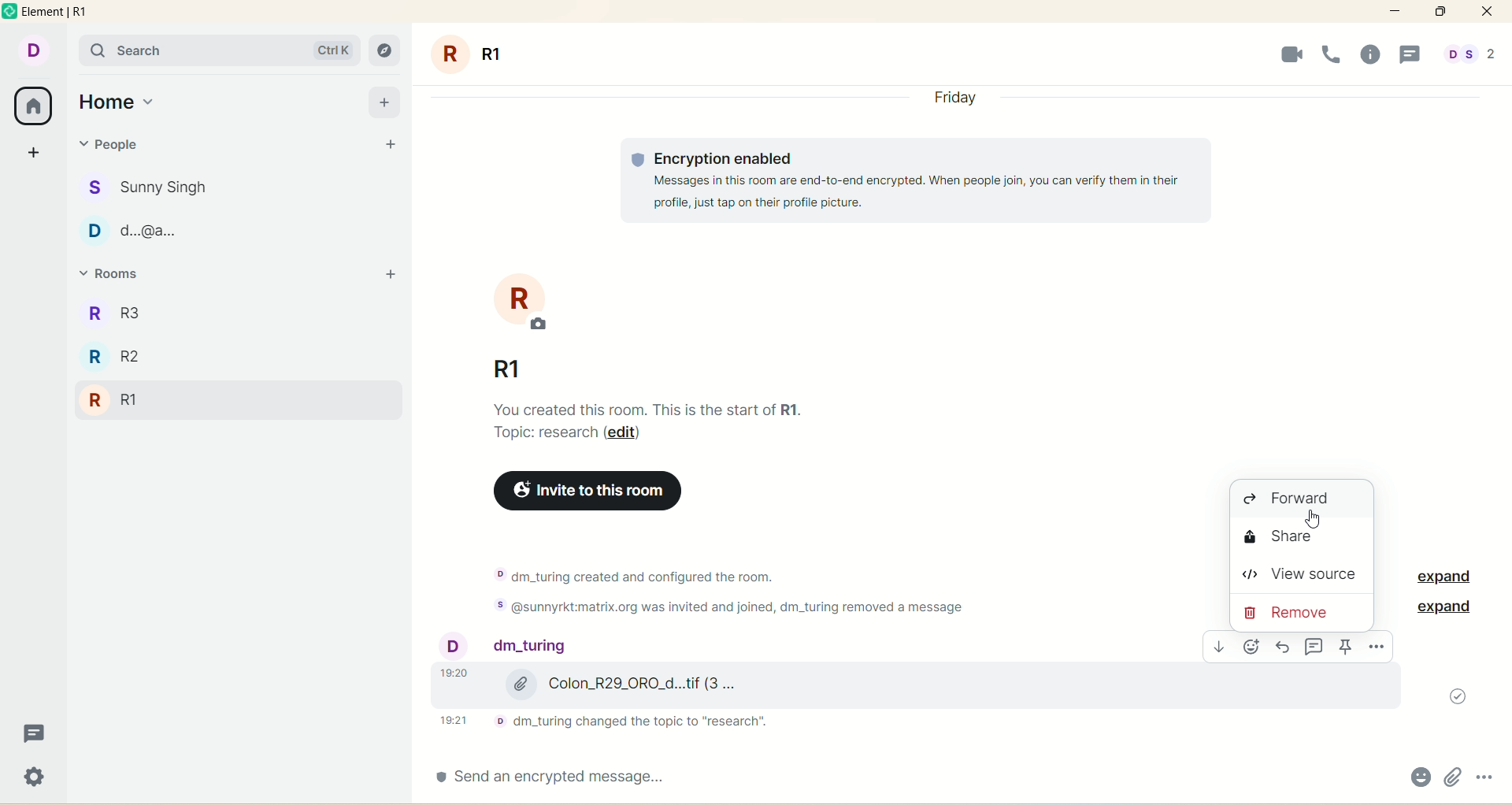 This screenshot has height=805, width=1512. What do you see at coordinates (1333, 53) in the screenshot?
I see `voice call` at bounding box center [1333, 53].